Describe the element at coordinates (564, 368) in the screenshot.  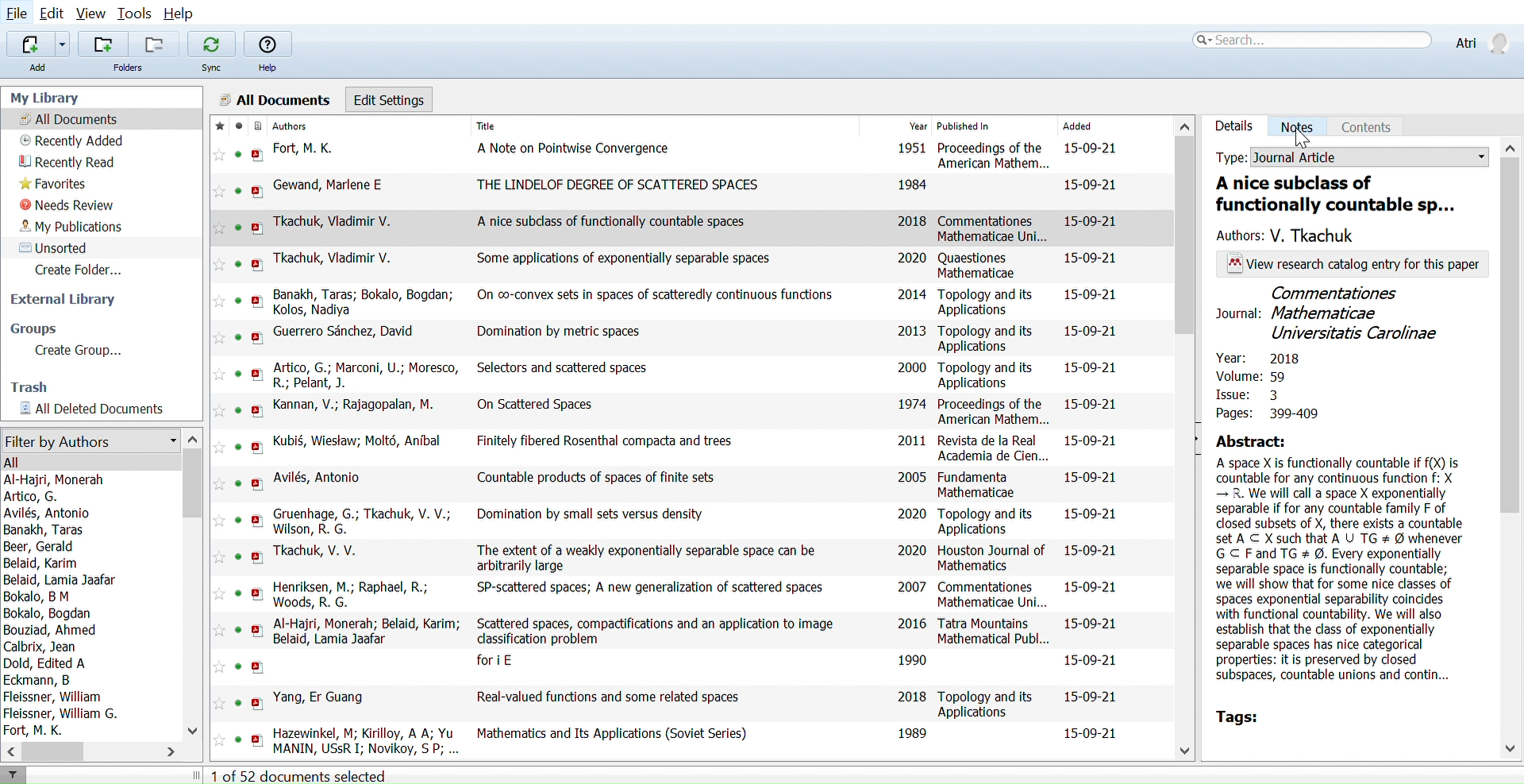
I see `Selectors and scattered spaces` at that location.